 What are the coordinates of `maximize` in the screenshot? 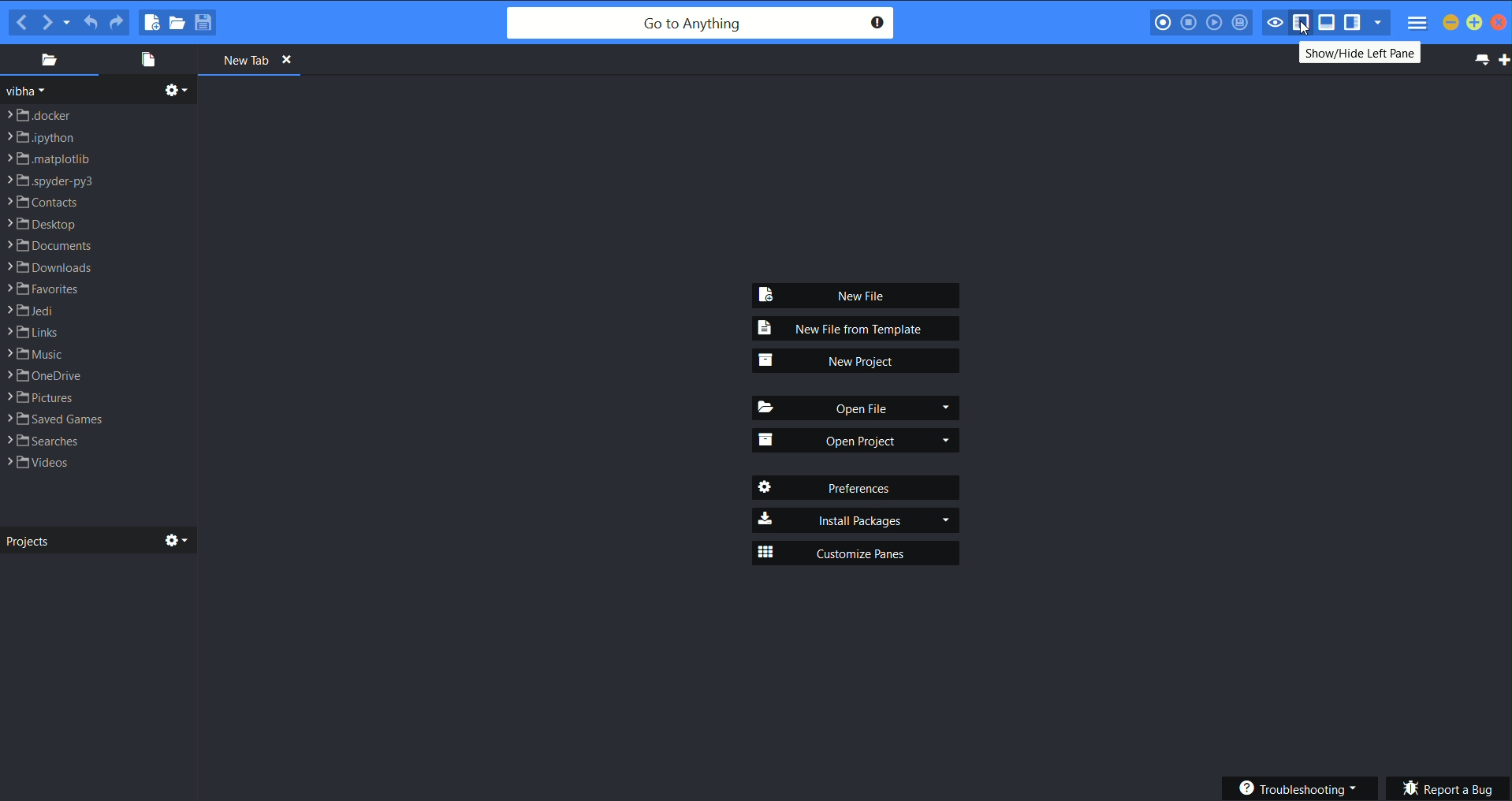 It's located at (1475, 23).